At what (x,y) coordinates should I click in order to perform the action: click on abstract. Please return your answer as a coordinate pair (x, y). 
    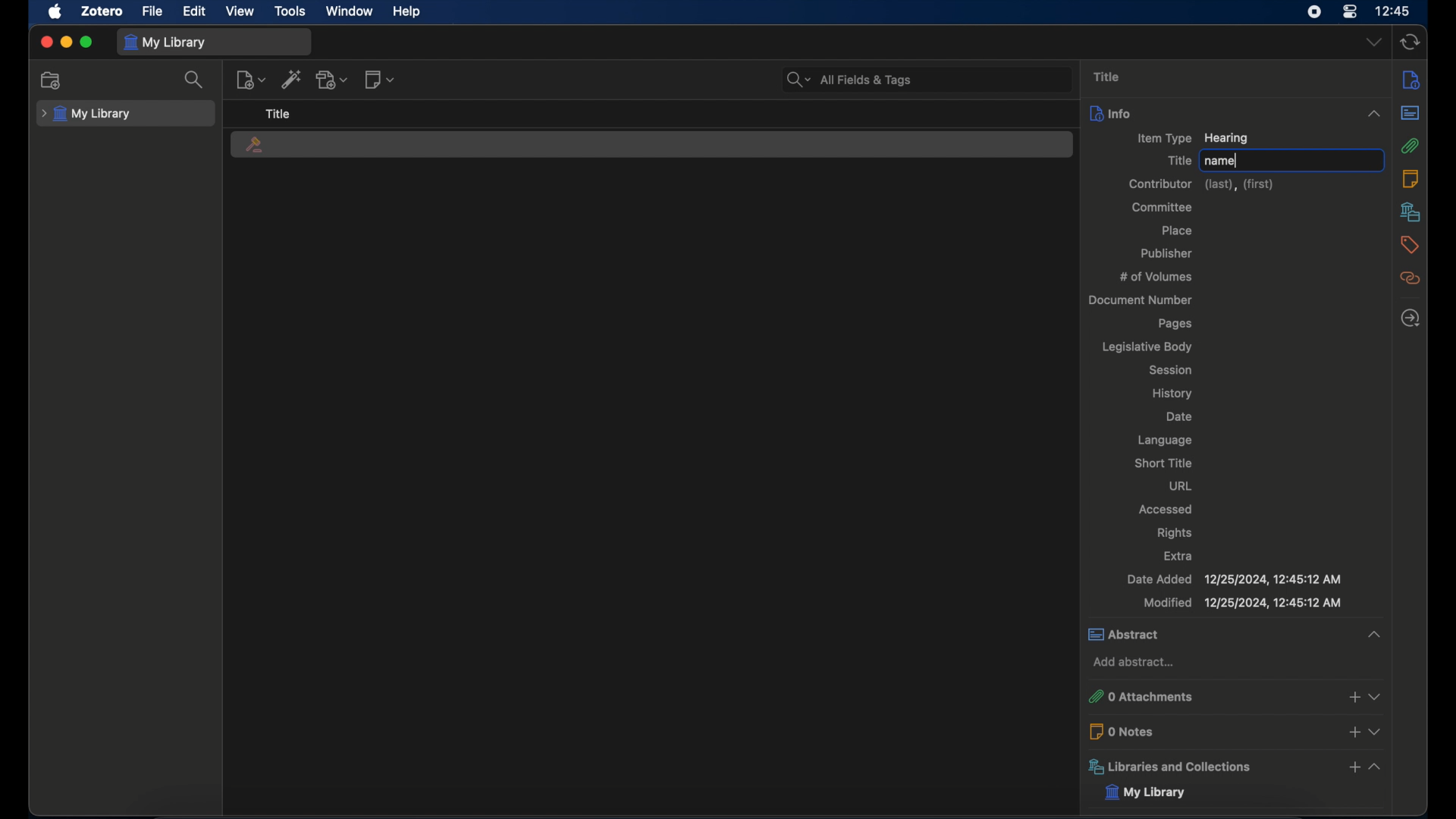
    Looking at the image, I should click on (1232, 634).